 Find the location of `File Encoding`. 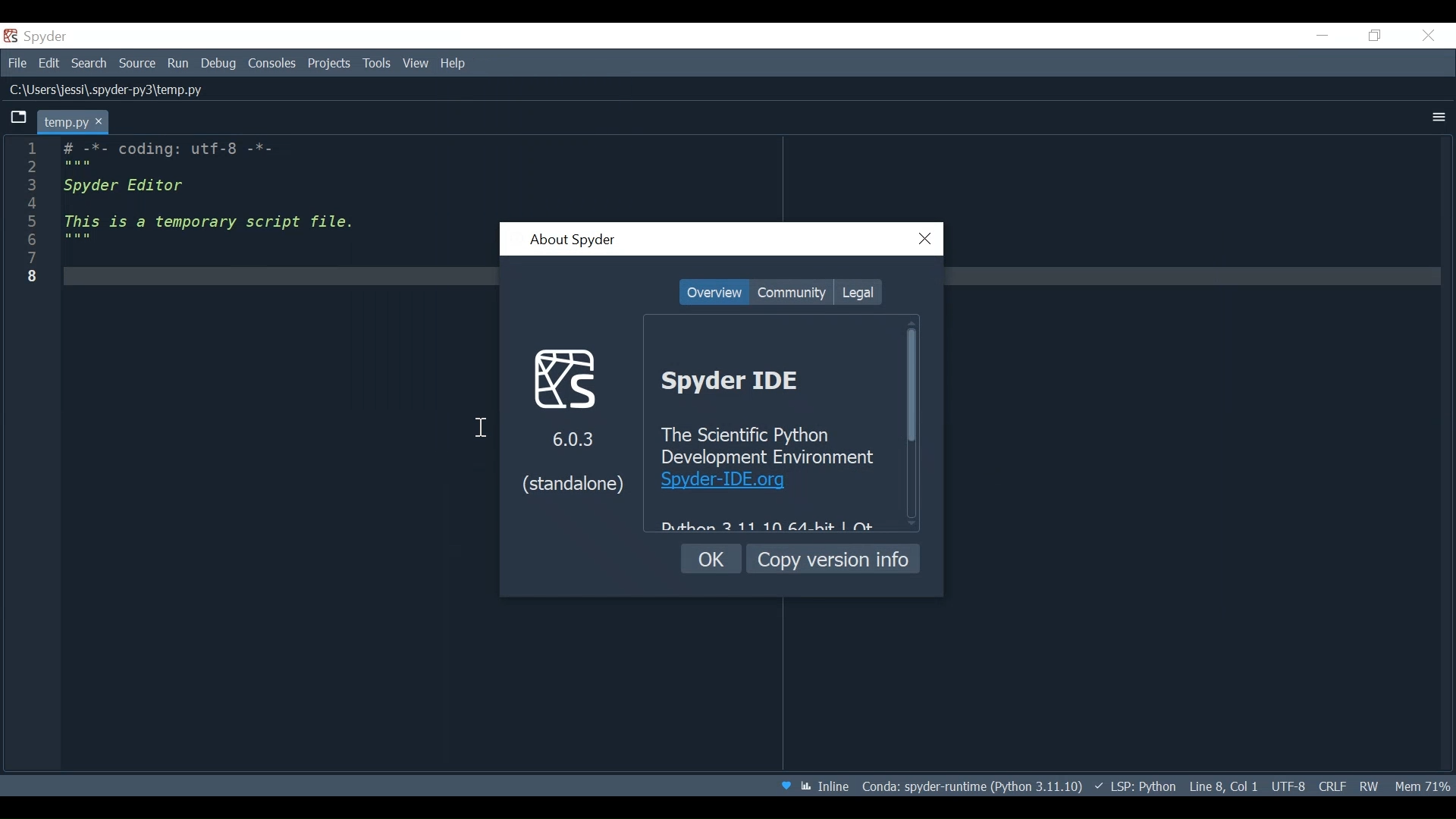

File Encoding is located at coordinates (1289, 786).